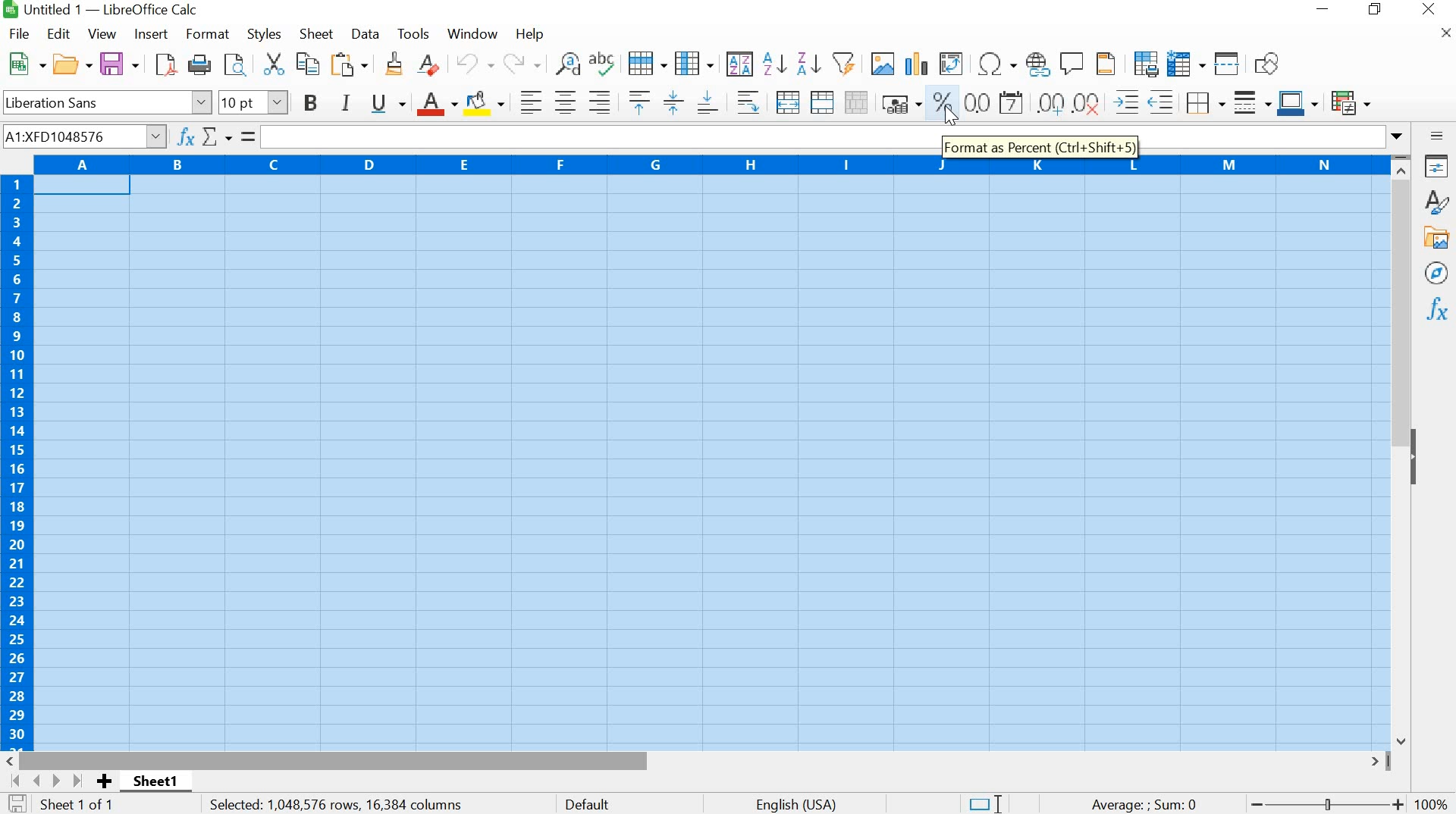 Image resolution: width=1456 pixels, height=814 pixels. Describe the element at coordinates (711, 461) in the screenshot. I see `Highlighted/Selected cells` at that location.